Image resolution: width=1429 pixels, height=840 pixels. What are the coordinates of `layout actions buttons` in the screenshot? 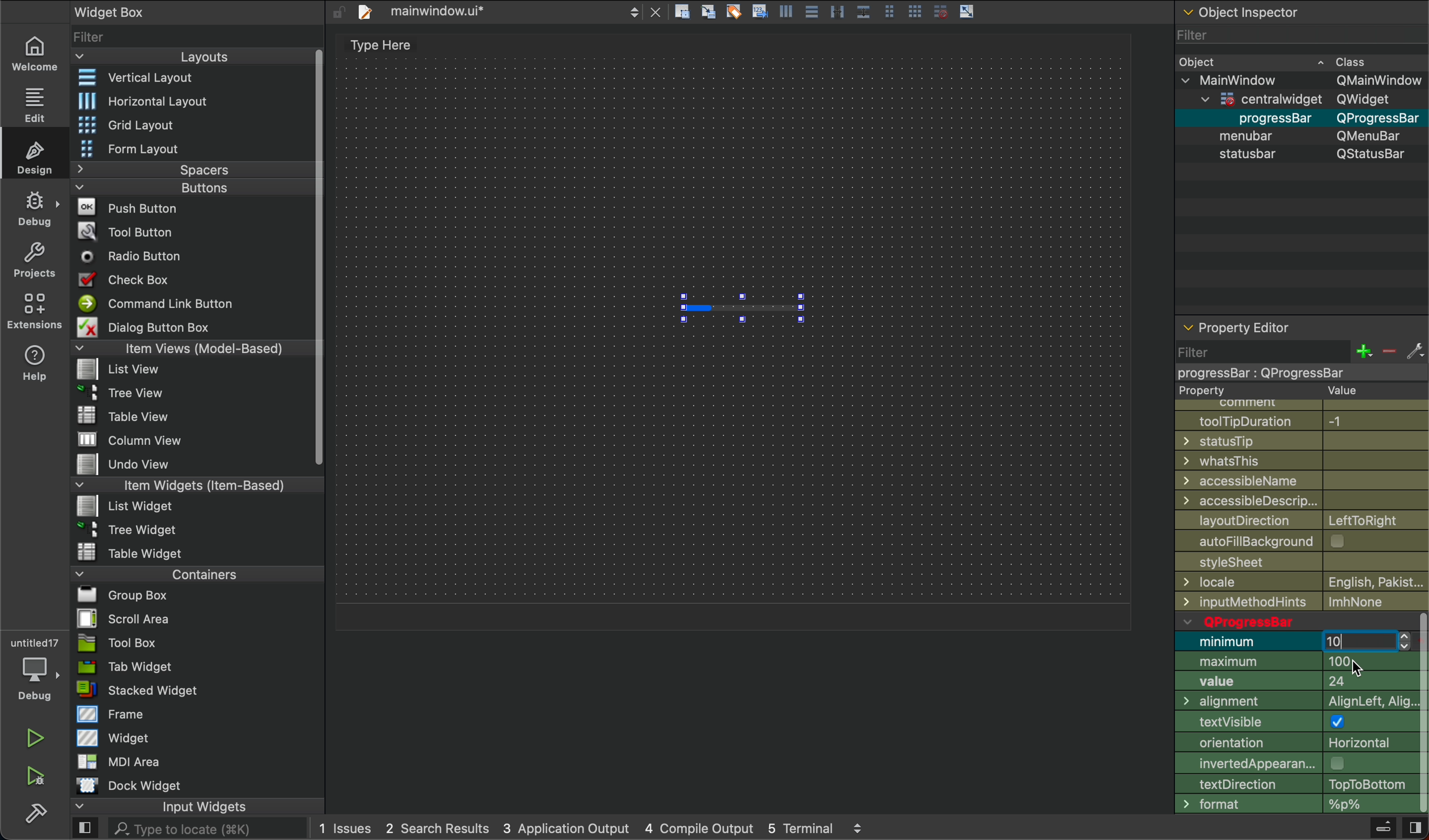 It's located at (824, 14).